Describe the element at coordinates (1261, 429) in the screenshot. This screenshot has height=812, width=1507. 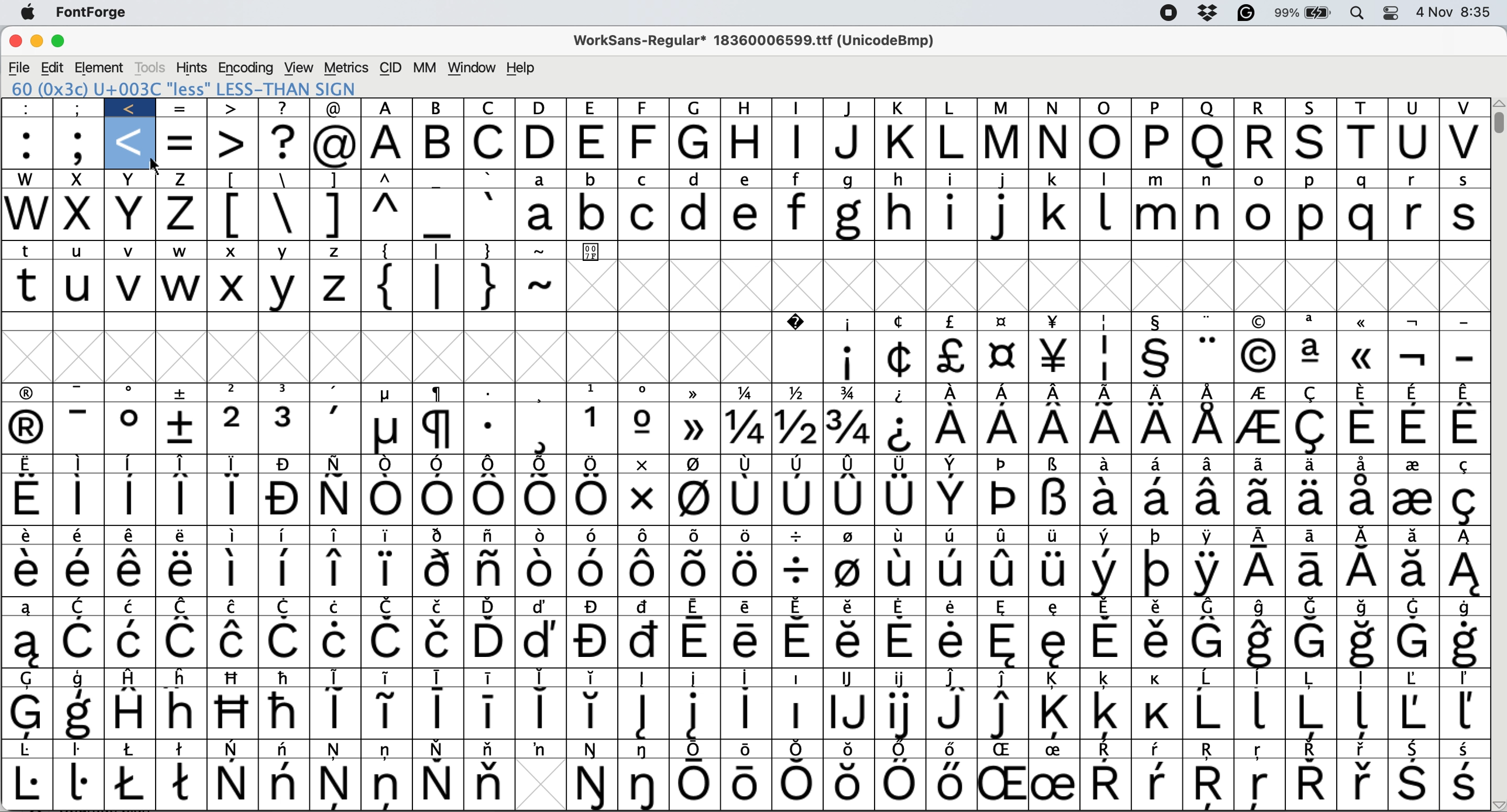
I see `Symbol` at that location.